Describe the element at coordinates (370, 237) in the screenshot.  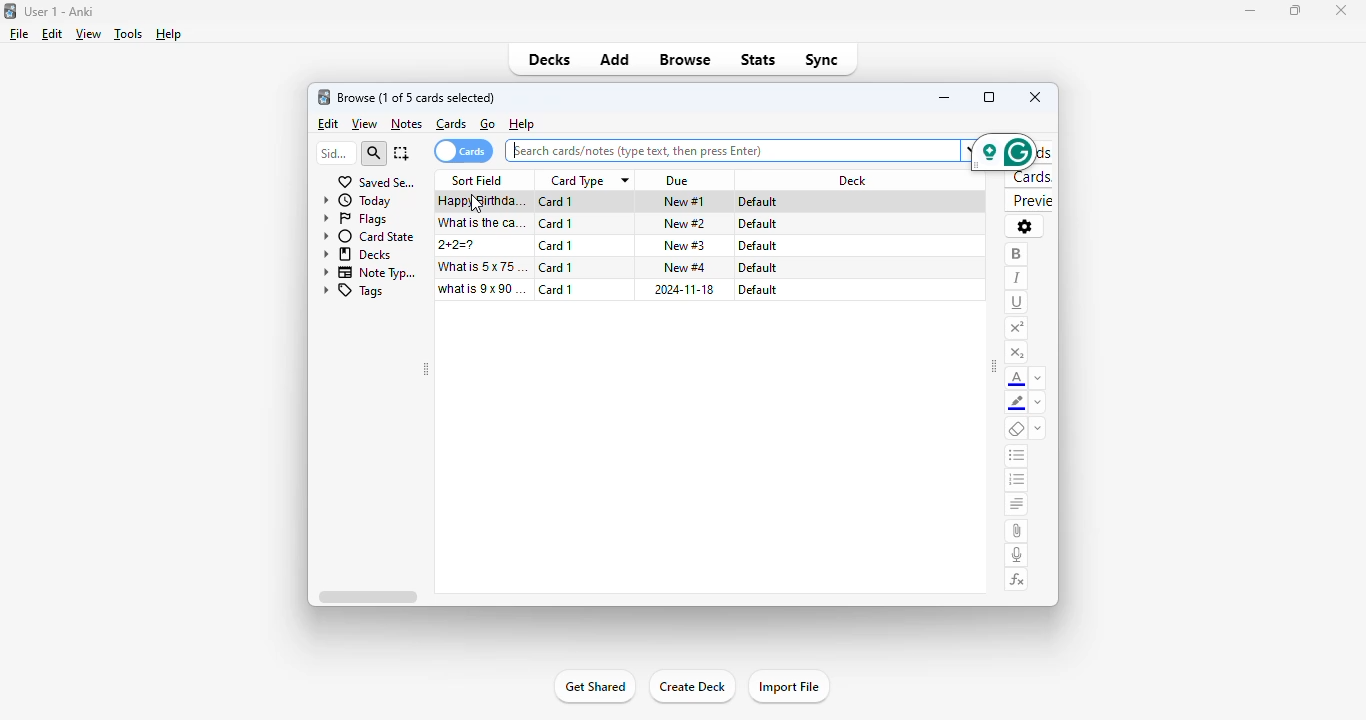
I see `card state` at that location.